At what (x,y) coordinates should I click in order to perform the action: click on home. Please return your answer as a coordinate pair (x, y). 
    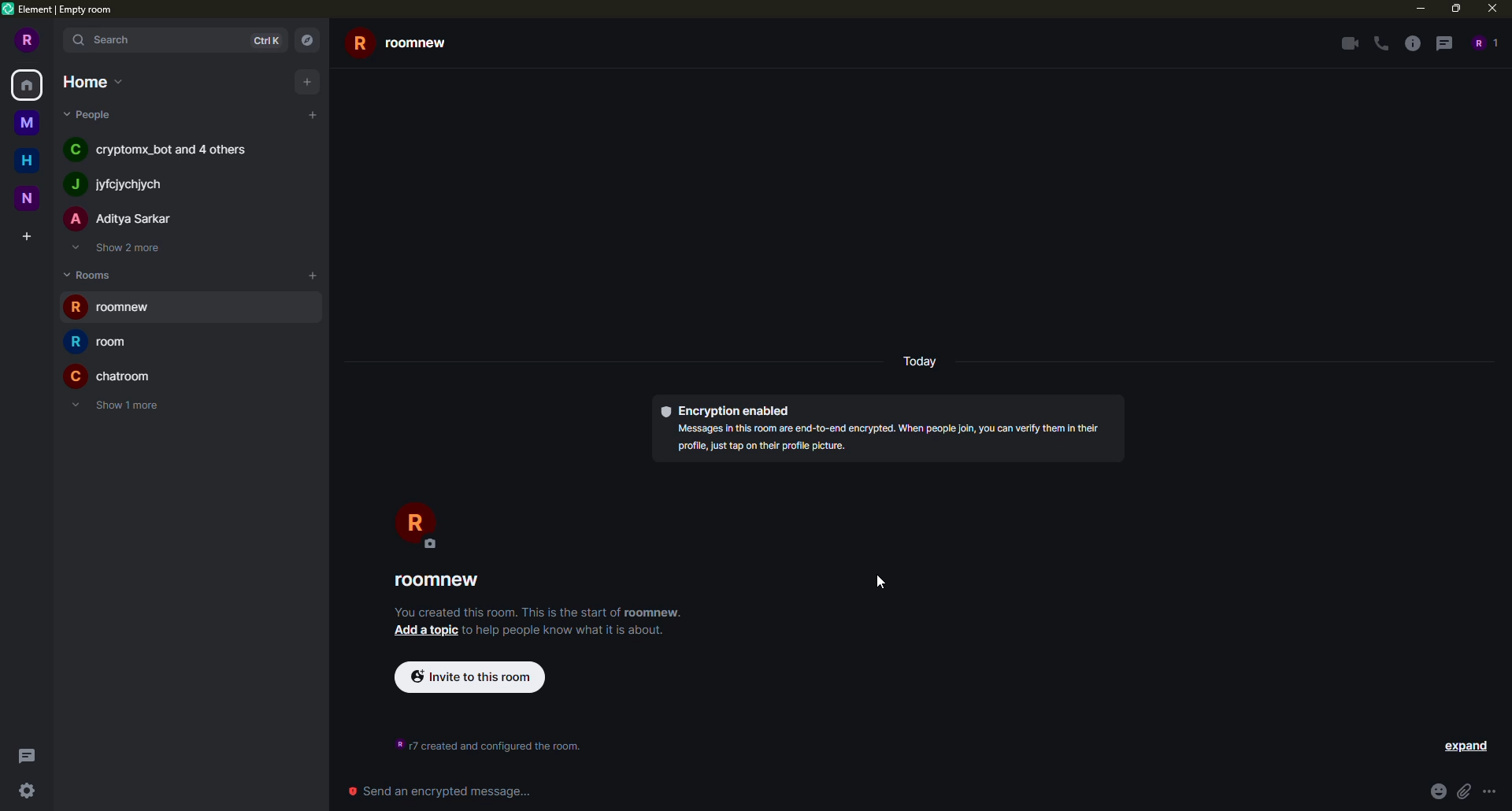
    Looking at the image, I should click on (92, 81).